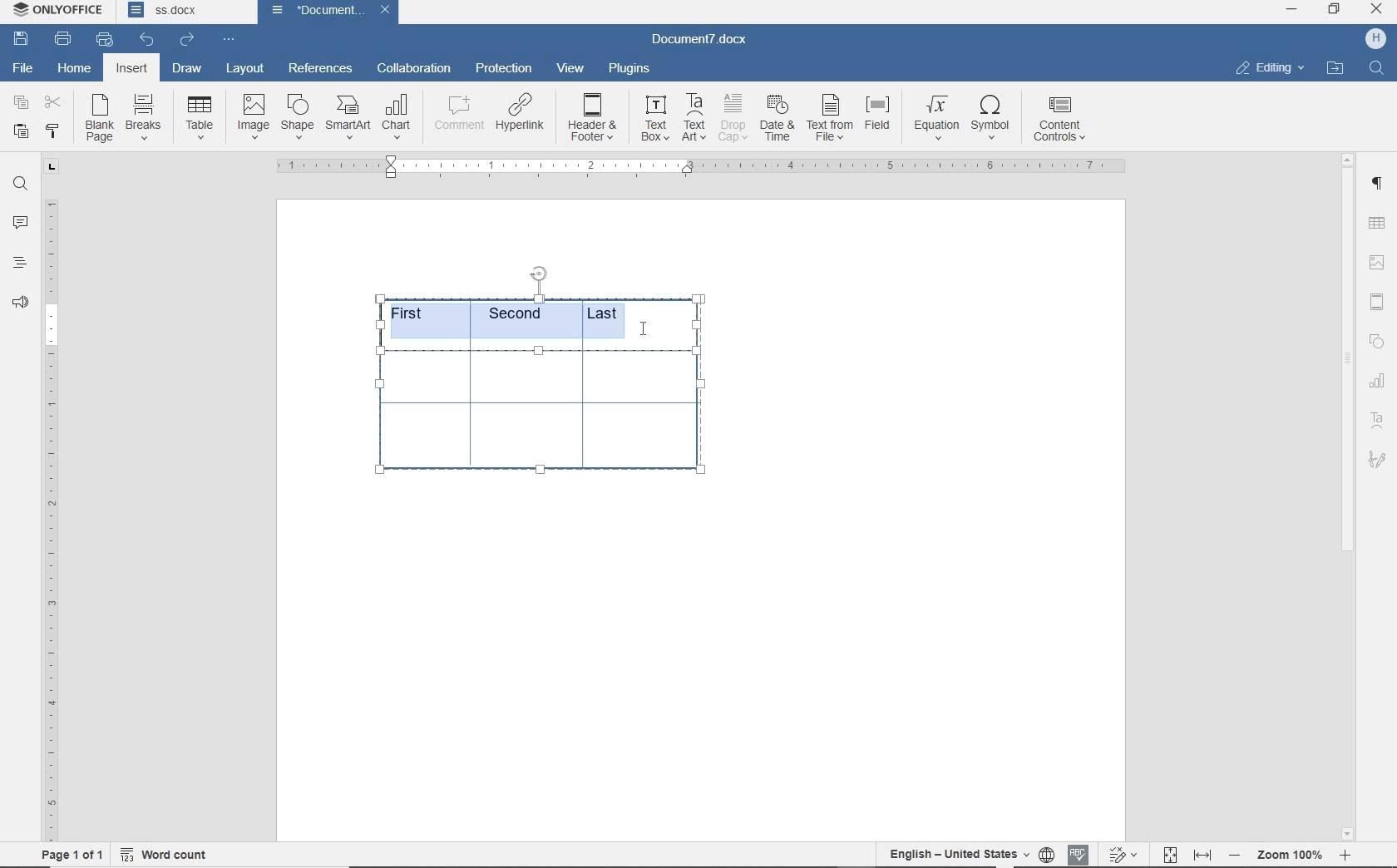  What do you see at coordinates (652, 328) in the screenshot?
I see `text cursor` at bounding box center [652, 328].